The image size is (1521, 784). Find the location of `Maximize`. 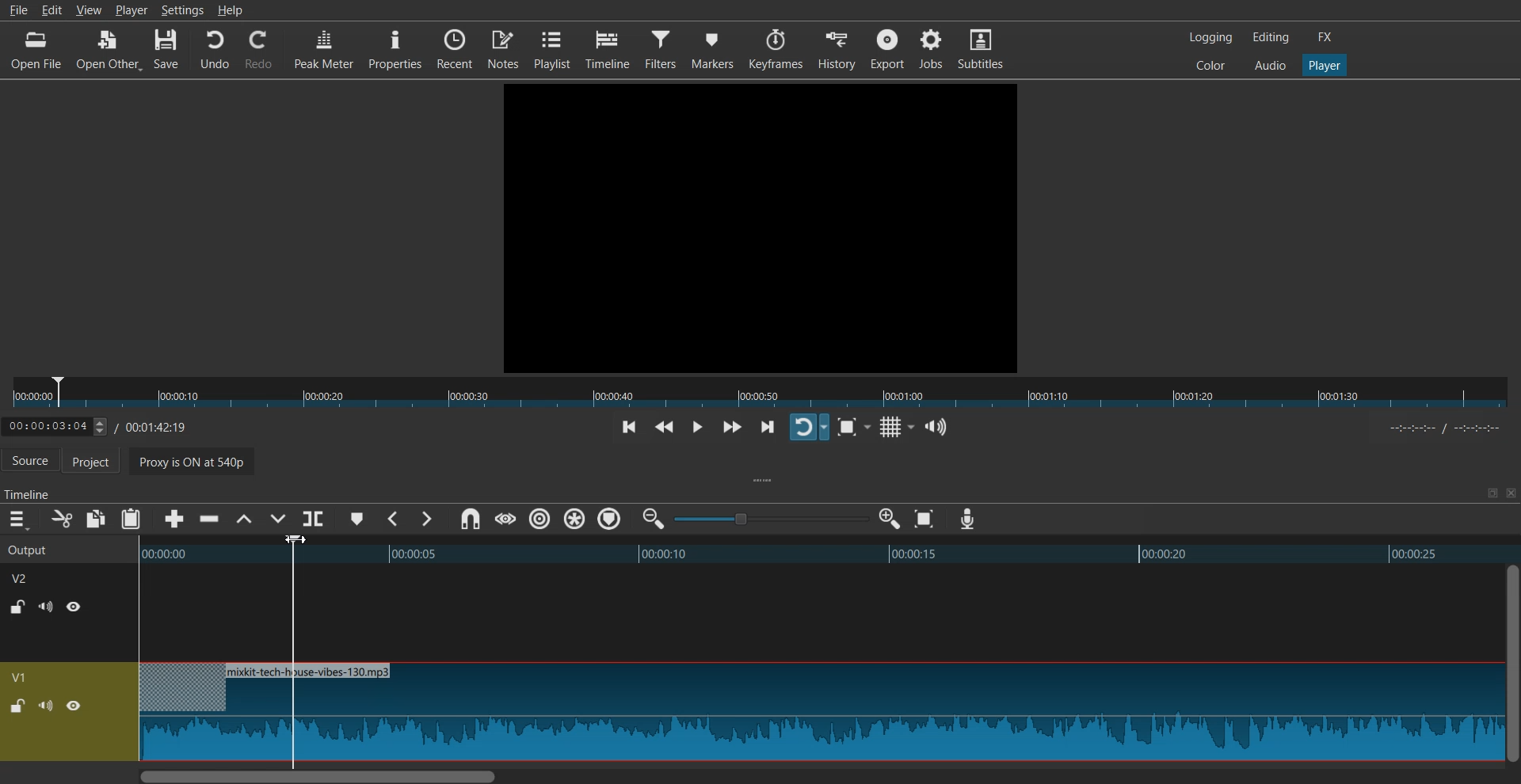

Maximize is located at coordinates (1492, 493).